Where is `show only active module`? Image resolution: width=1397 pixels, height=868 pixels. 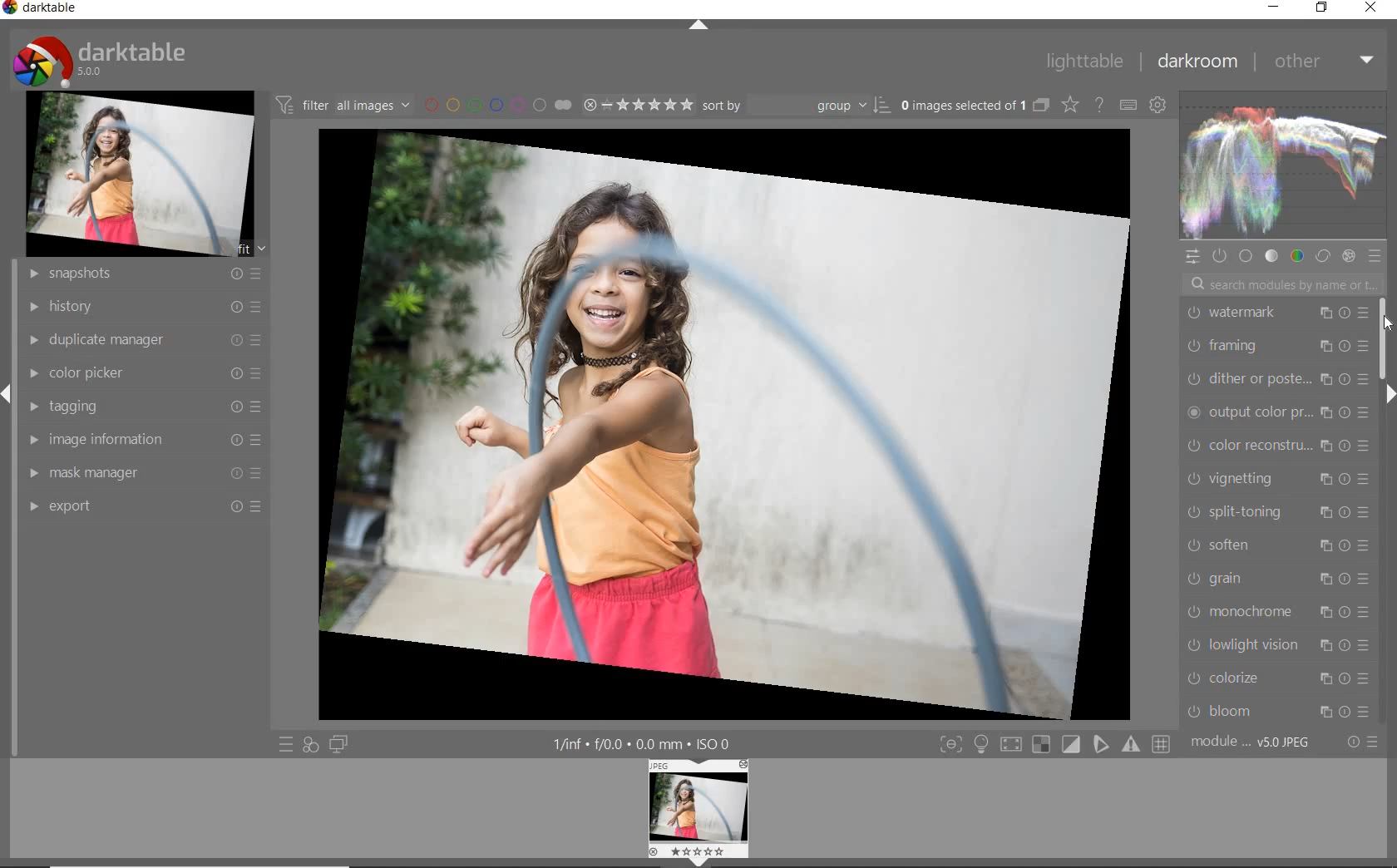 show only active module is located at coordinates (1218, 254).